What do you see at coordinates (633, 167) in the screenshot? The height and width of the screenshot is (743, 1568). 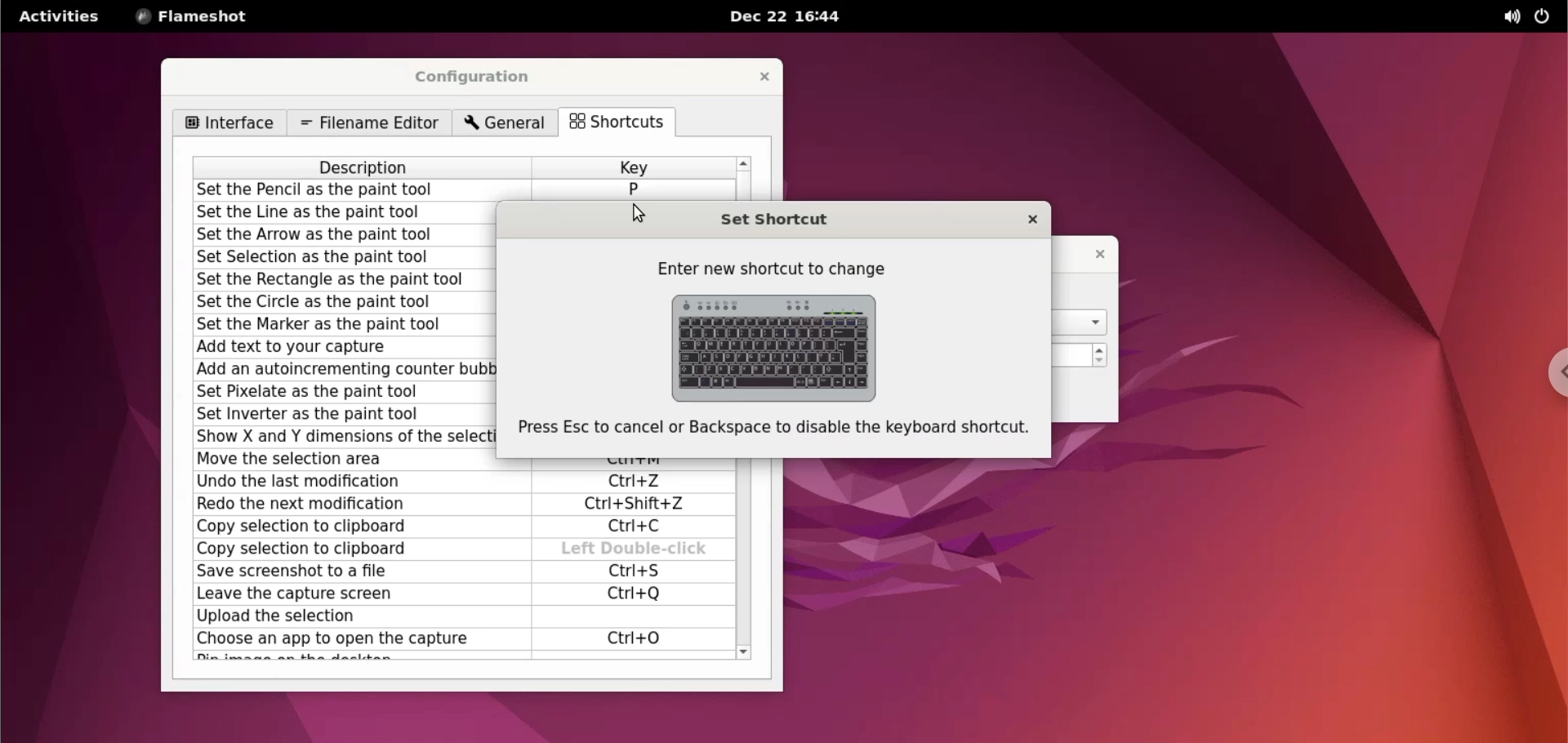 I see `key ` at bounding box center [633, 167].